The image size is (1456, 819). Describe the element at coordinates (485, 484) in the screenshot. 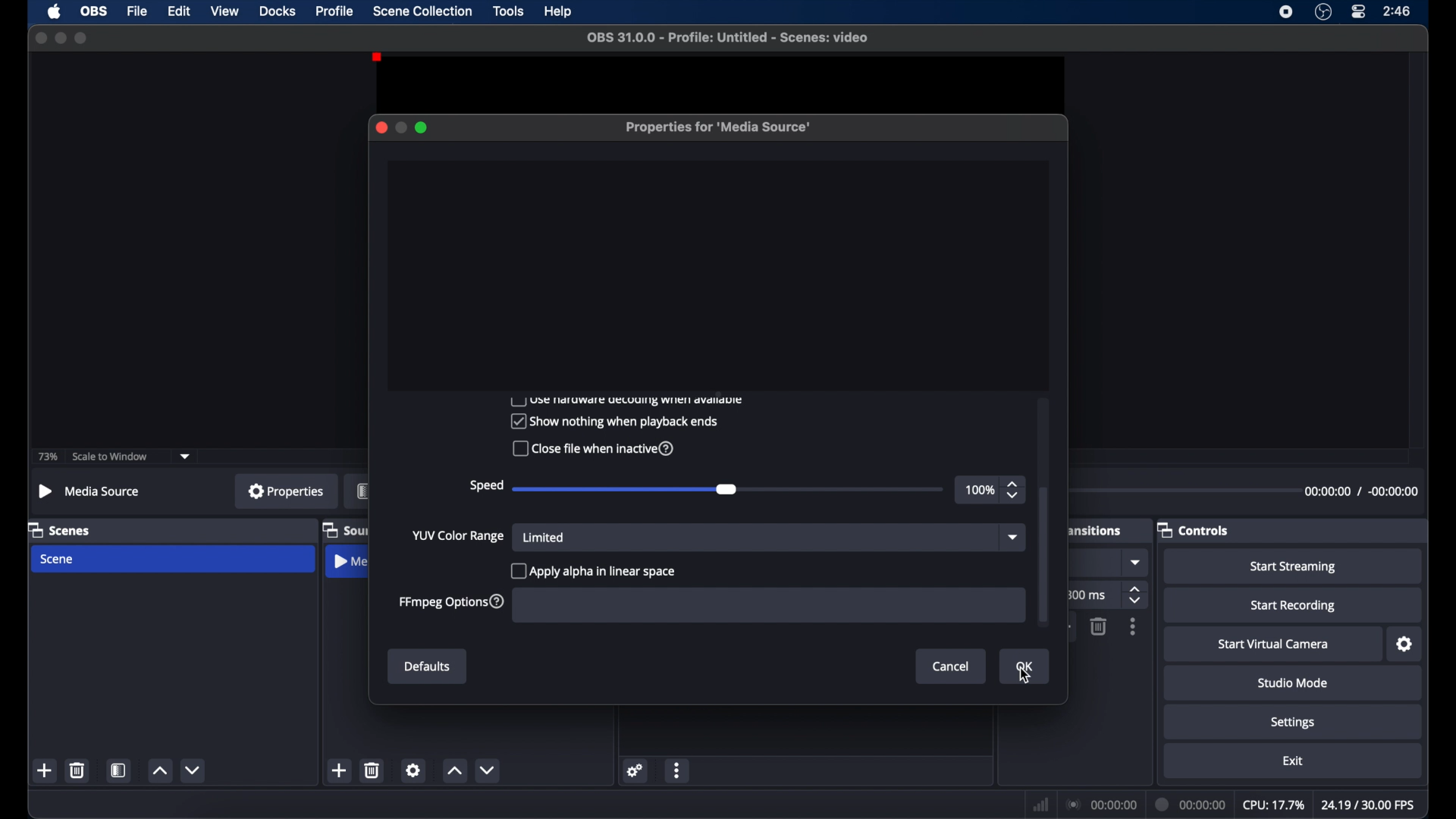

I see `speed` at that location.